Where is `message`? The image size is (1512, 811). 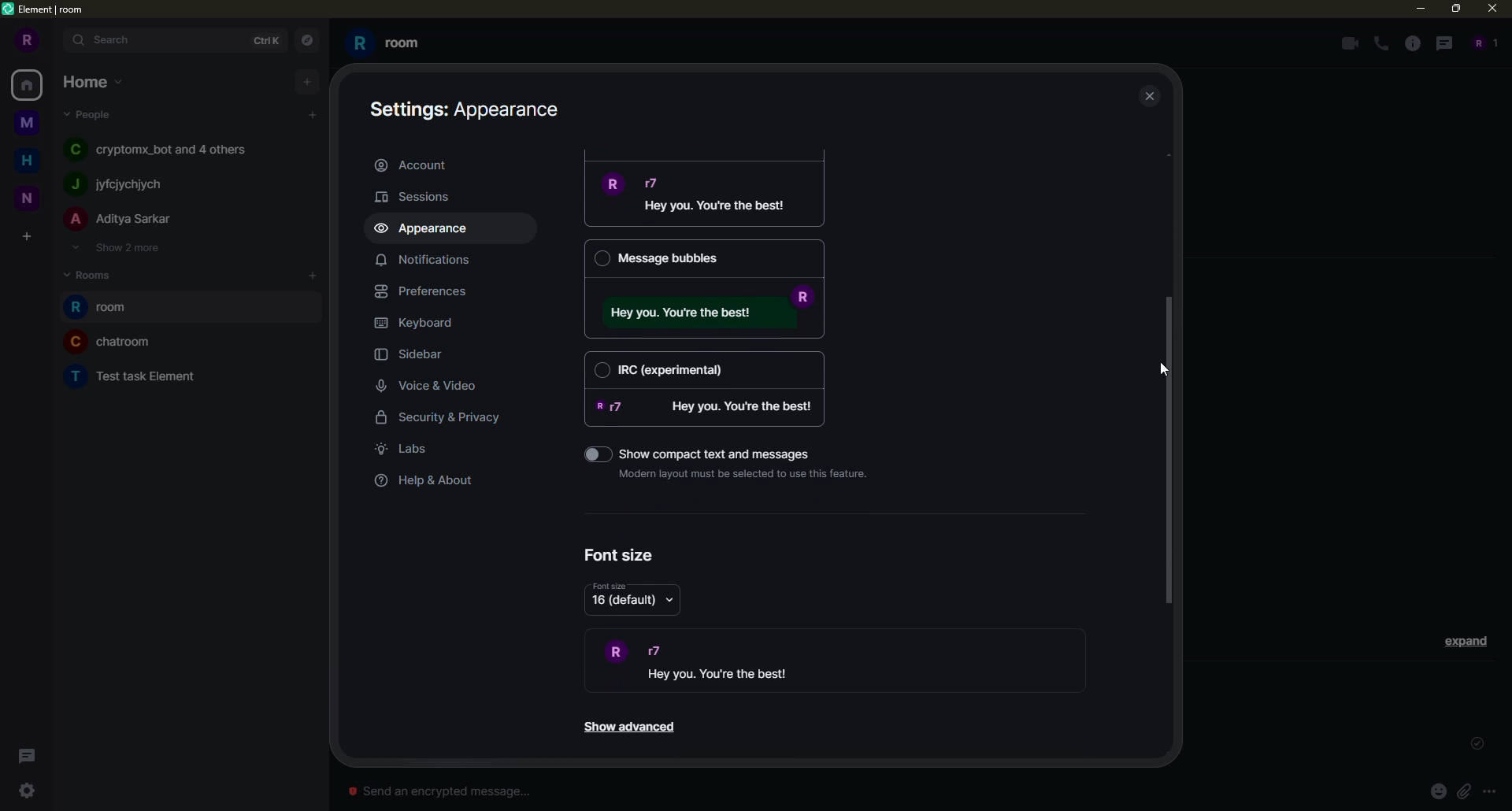 message is located at coordinates (709, 194).